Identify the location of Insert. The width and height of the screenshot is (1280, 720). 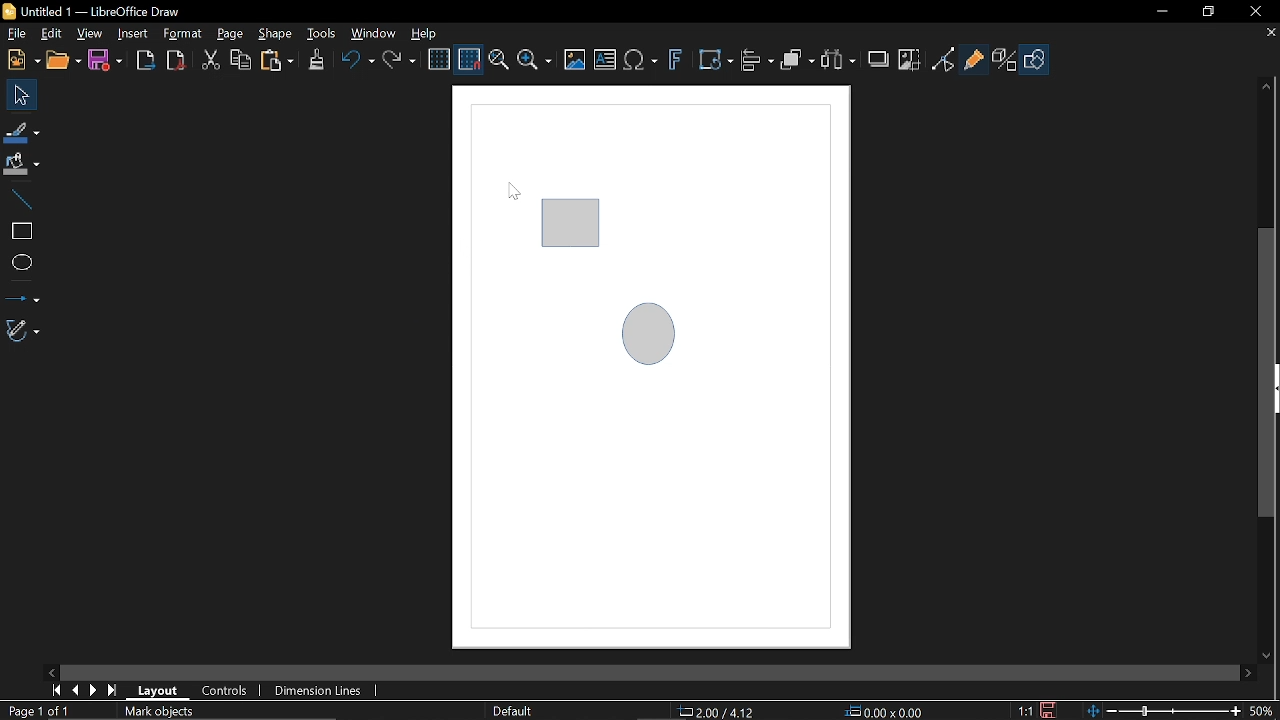
(132, 35).